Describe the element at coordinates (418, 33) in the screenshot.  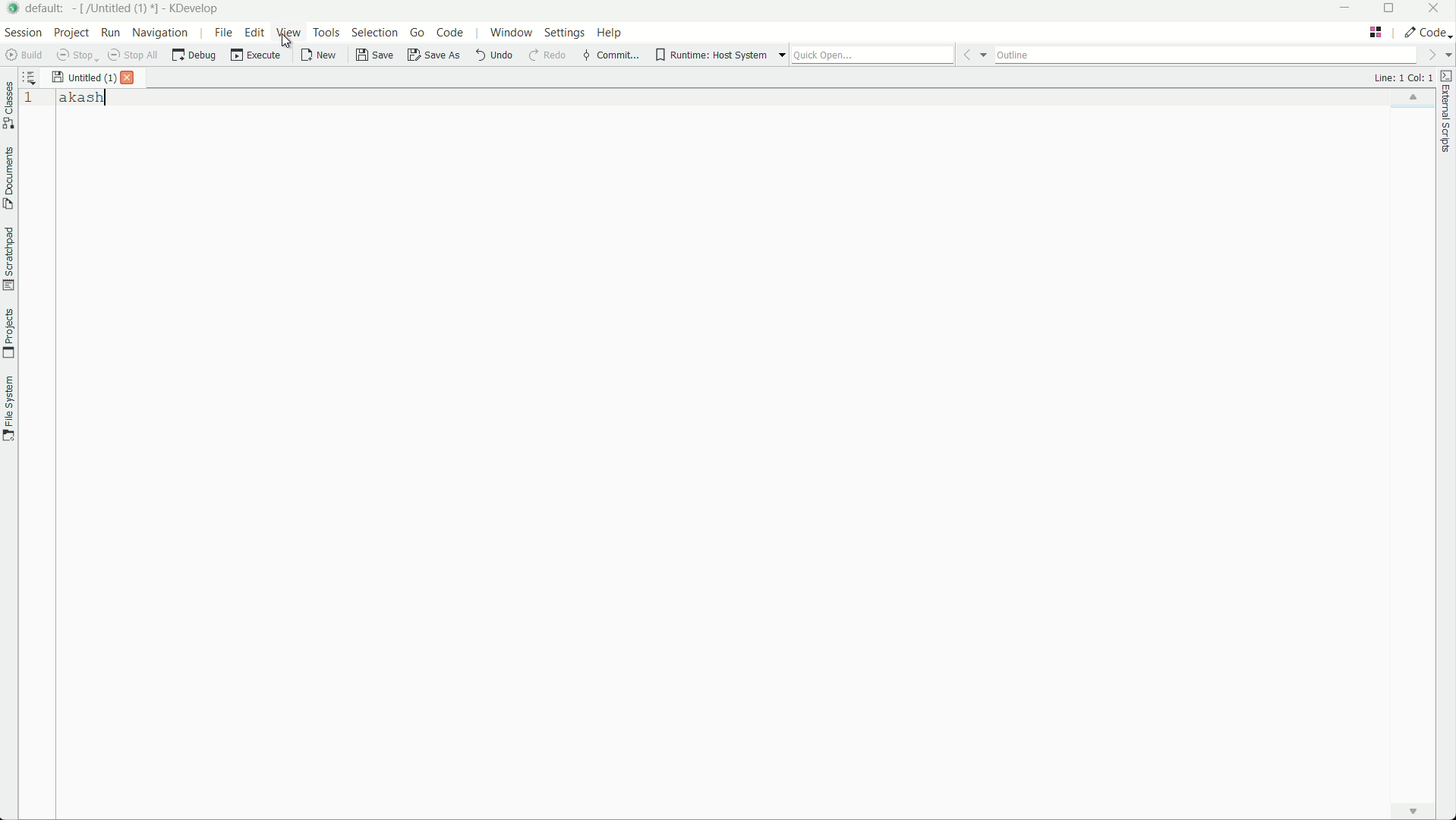
I see `go` at that location.